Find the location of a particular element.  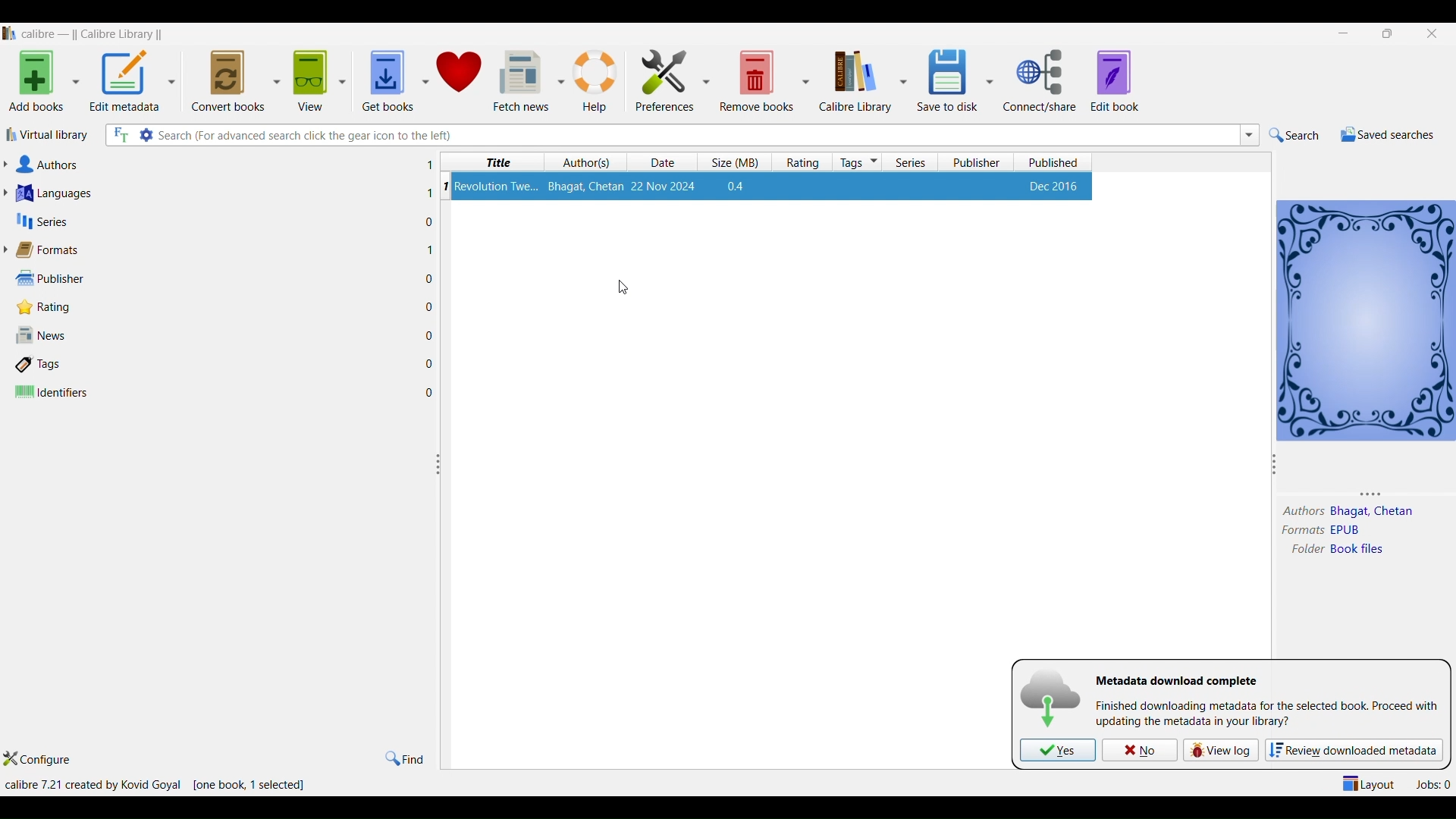

tags is located at coordinates (42, 366).